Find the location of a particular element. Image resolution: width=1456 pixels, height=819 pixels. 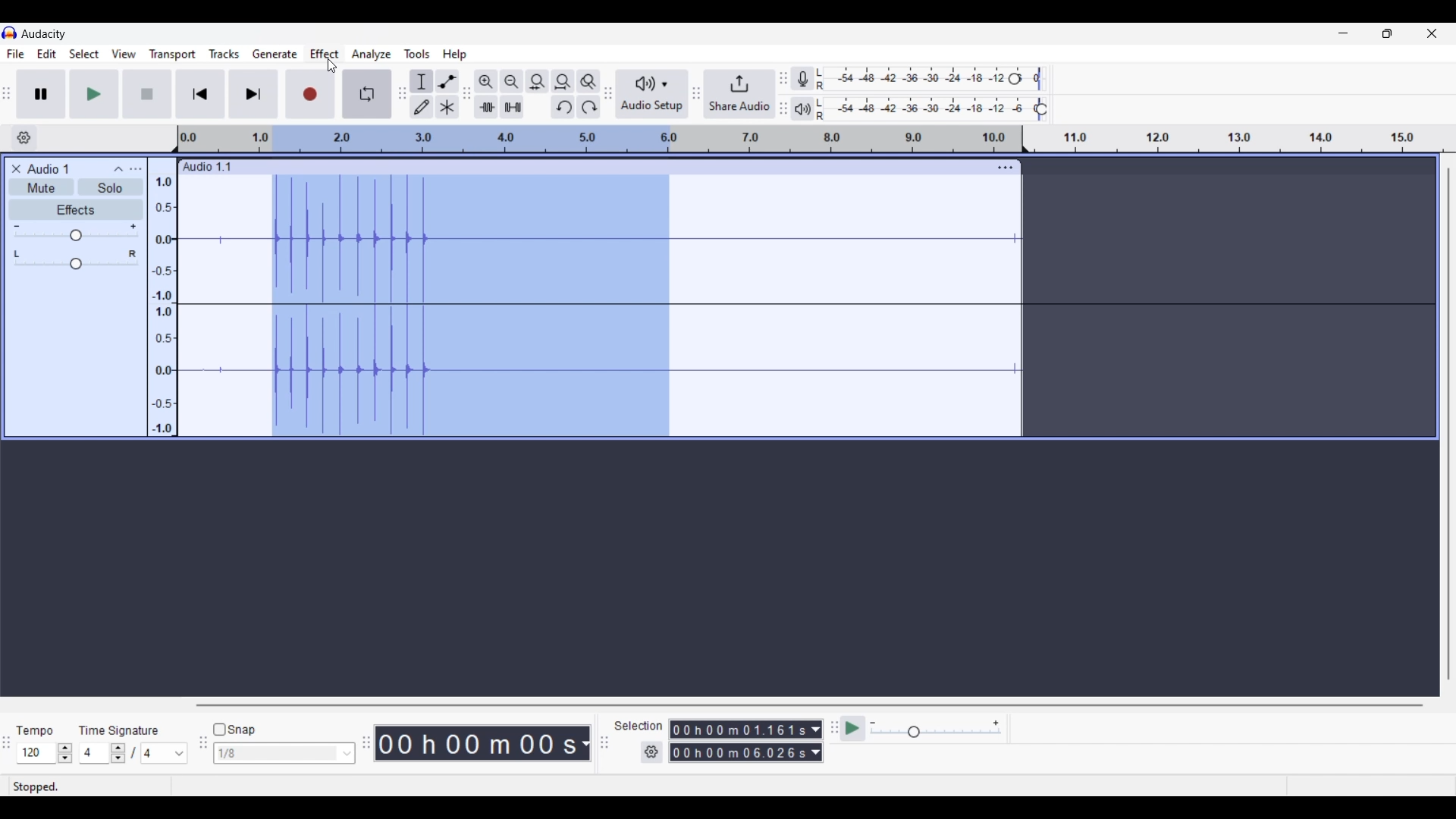

Horizontal slide bar is located at coordinates (810, 705).